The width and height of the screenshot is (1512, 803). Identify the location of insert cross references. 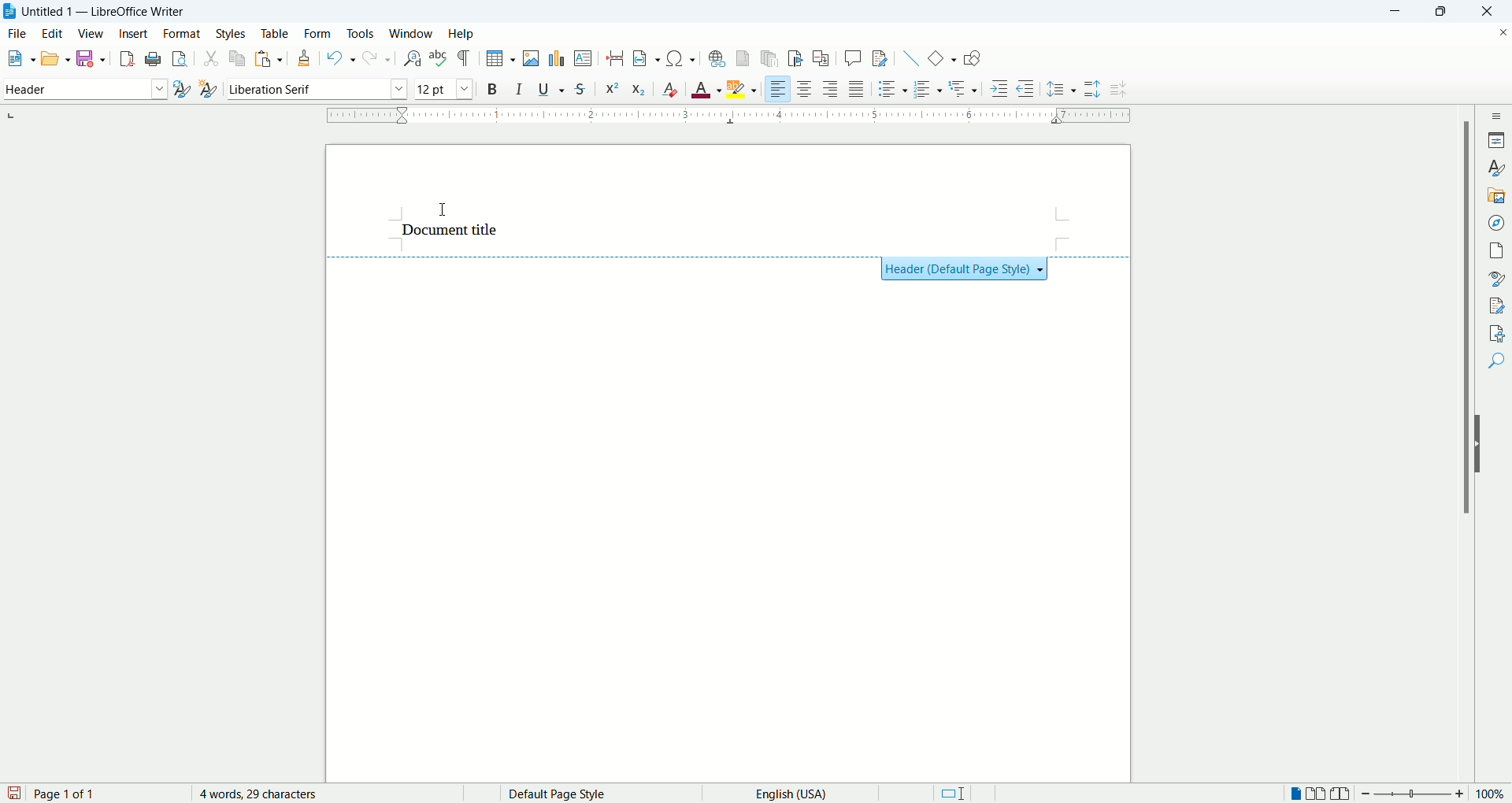
(822, 56).